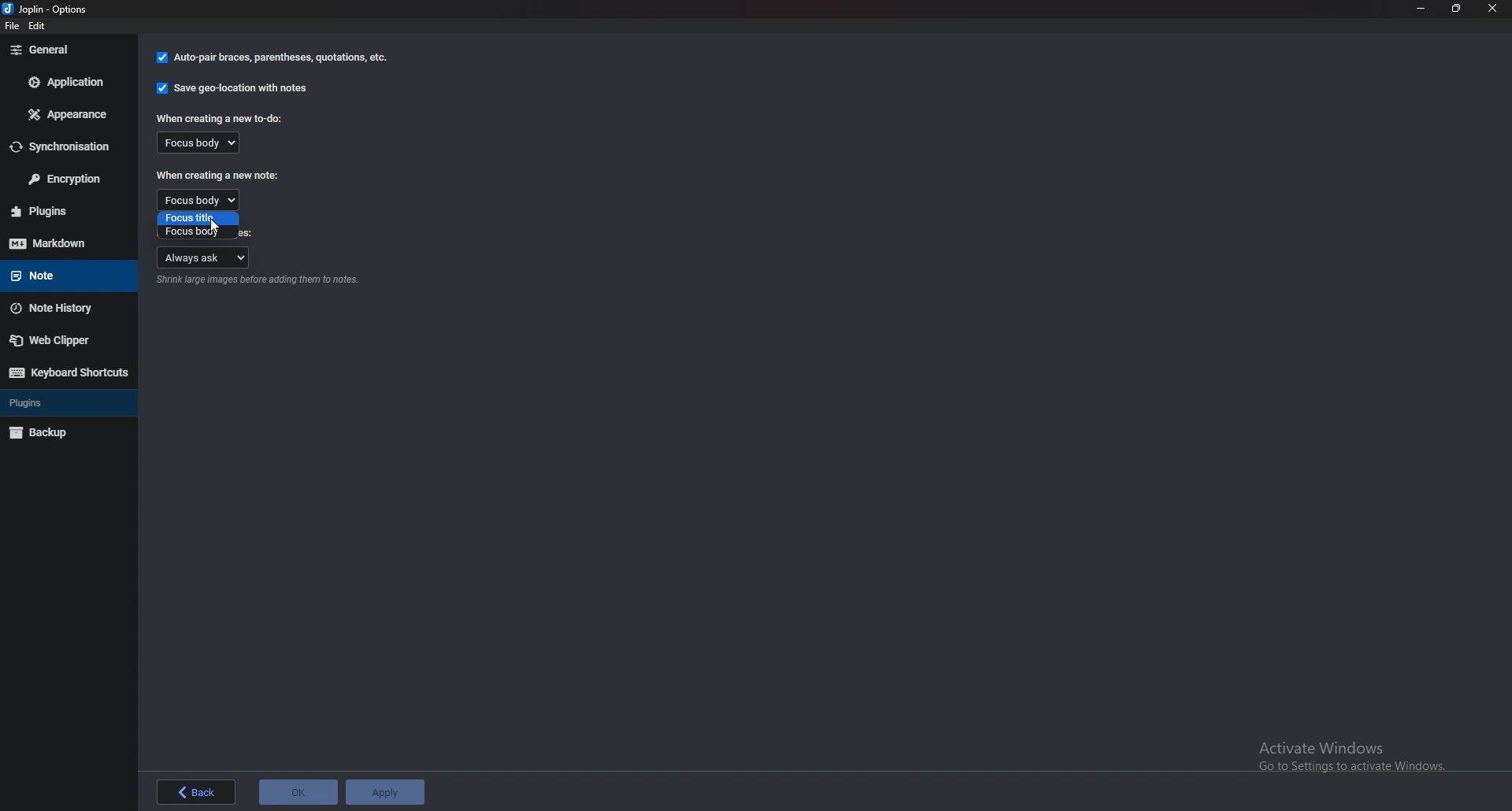 The width and height of the screenshot is (1512, 811). Describe the element at coordinates (387, 792) in the screenshot. I see `apply` at that location.